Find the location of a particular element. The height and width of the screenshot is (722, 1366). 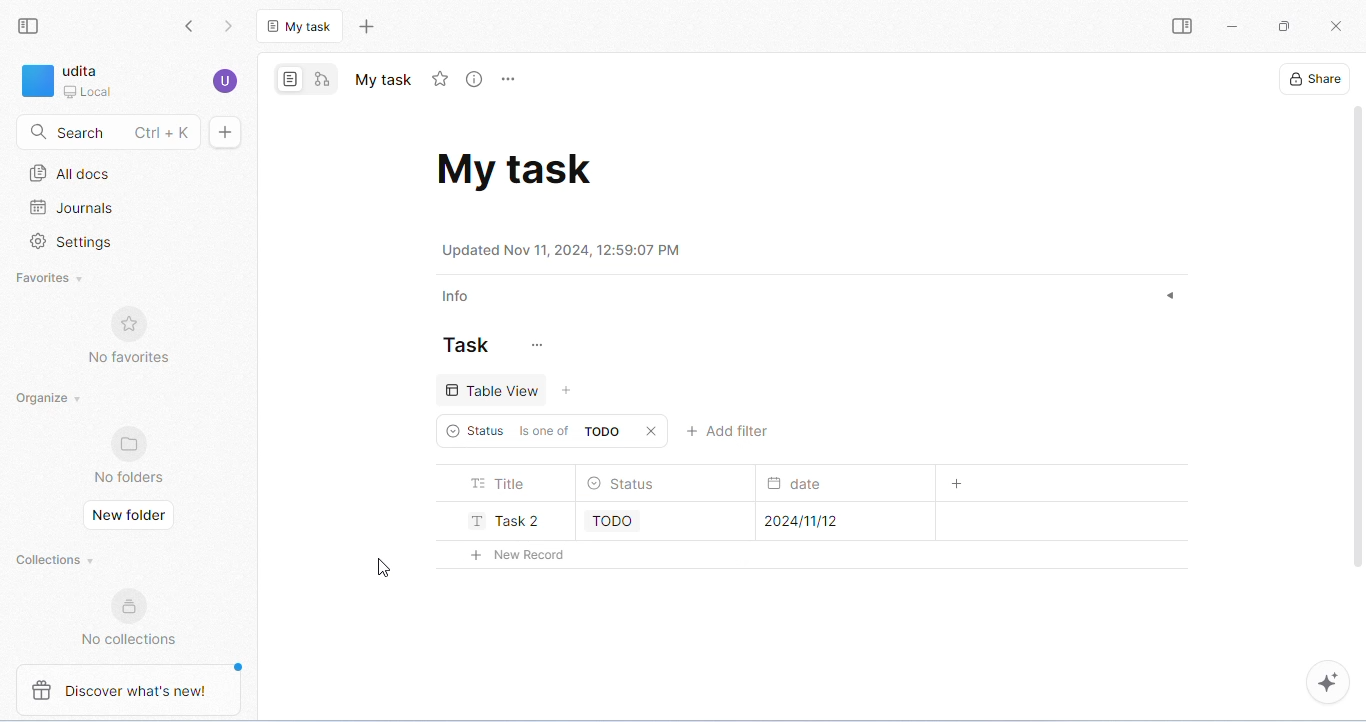

new tab is located at coordinates (366, 26).